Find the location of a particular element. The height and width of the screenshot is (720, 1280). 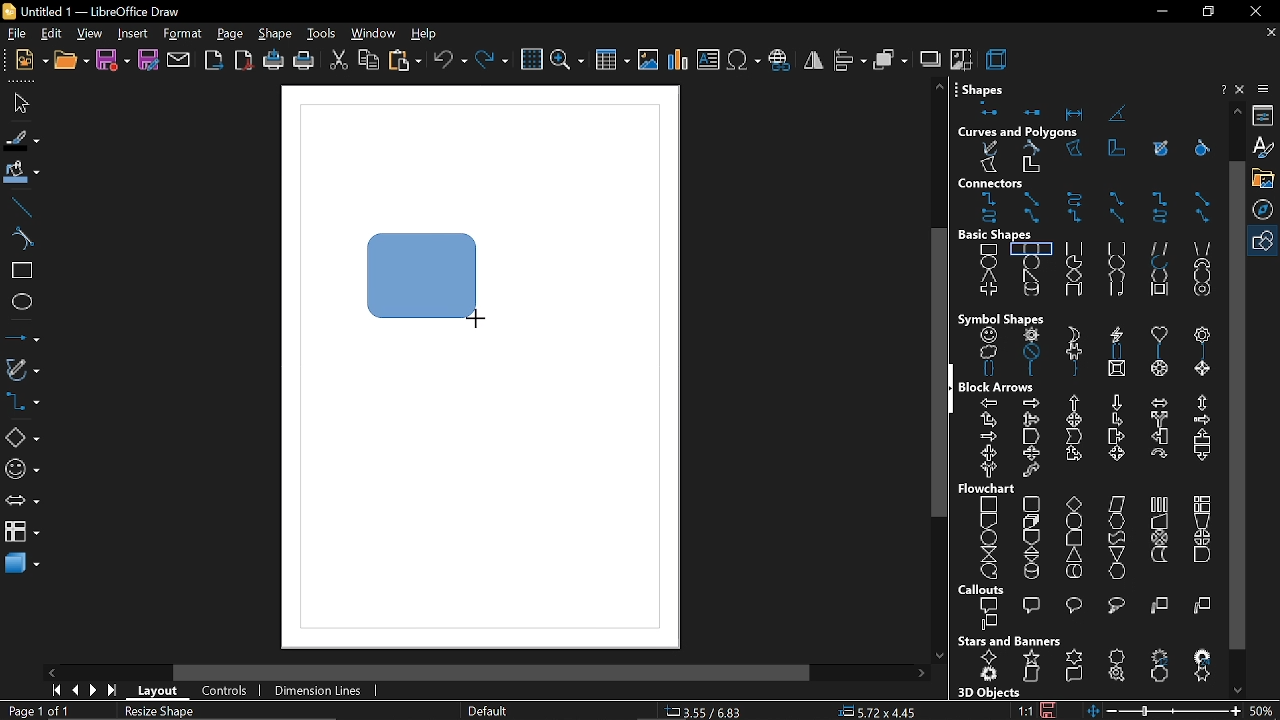

close tab is located at coordinates (1271, 33).